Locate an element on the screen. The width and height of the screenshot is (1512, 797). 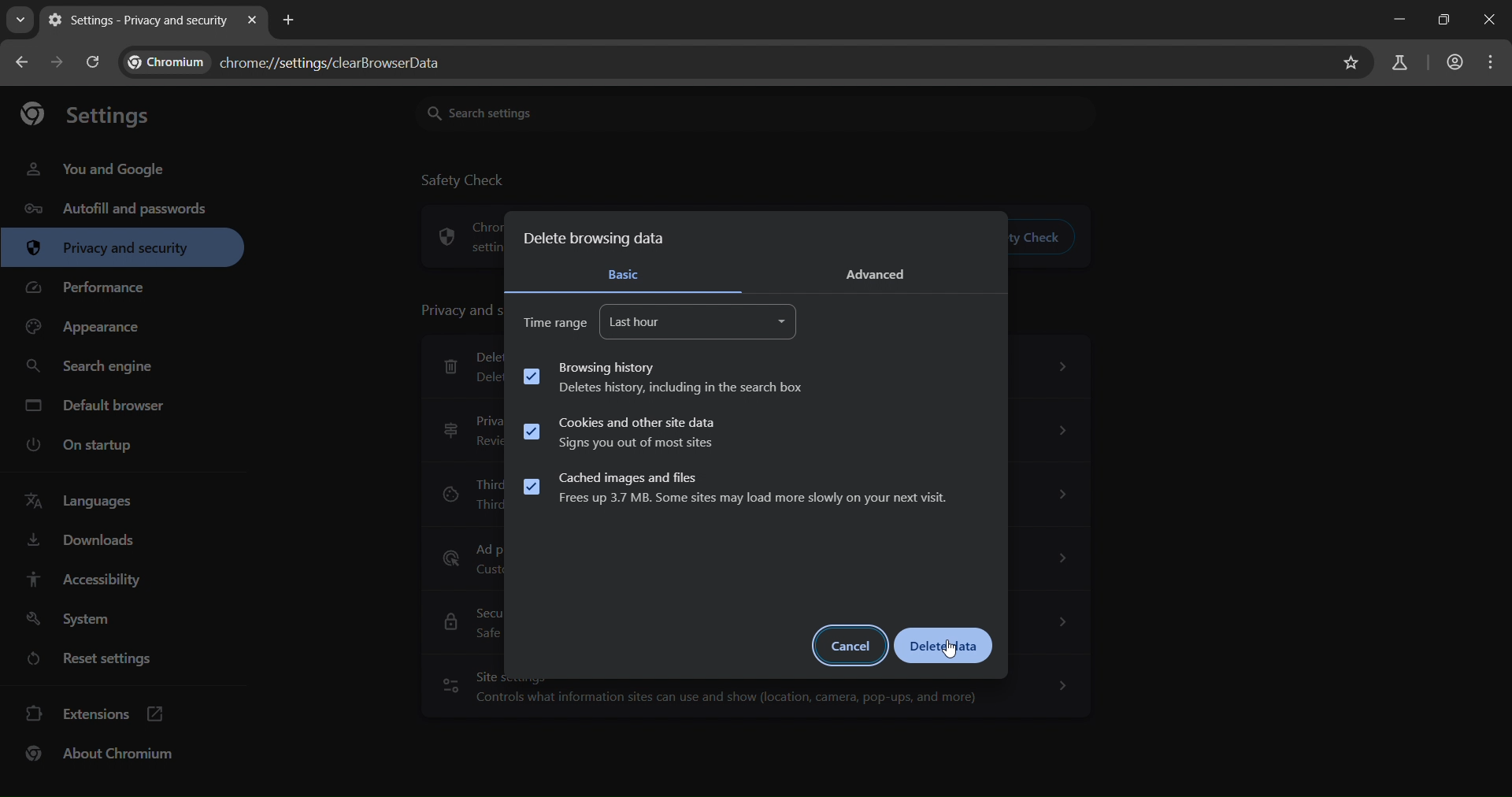
delete browsing data is located at coordinates (595, 239).